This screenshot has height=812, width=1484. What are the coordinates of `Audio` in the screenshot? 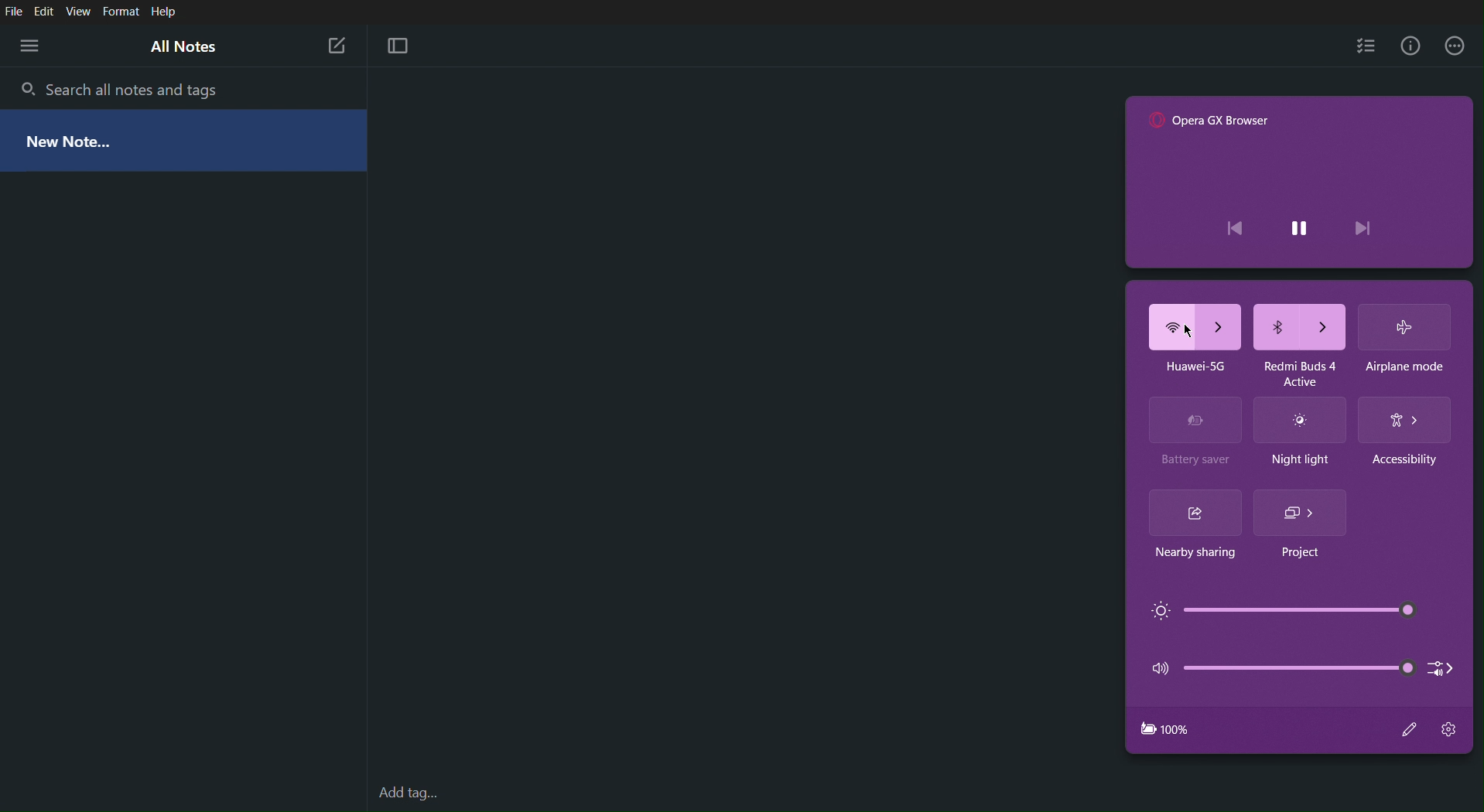 It's located at (1302, 664).